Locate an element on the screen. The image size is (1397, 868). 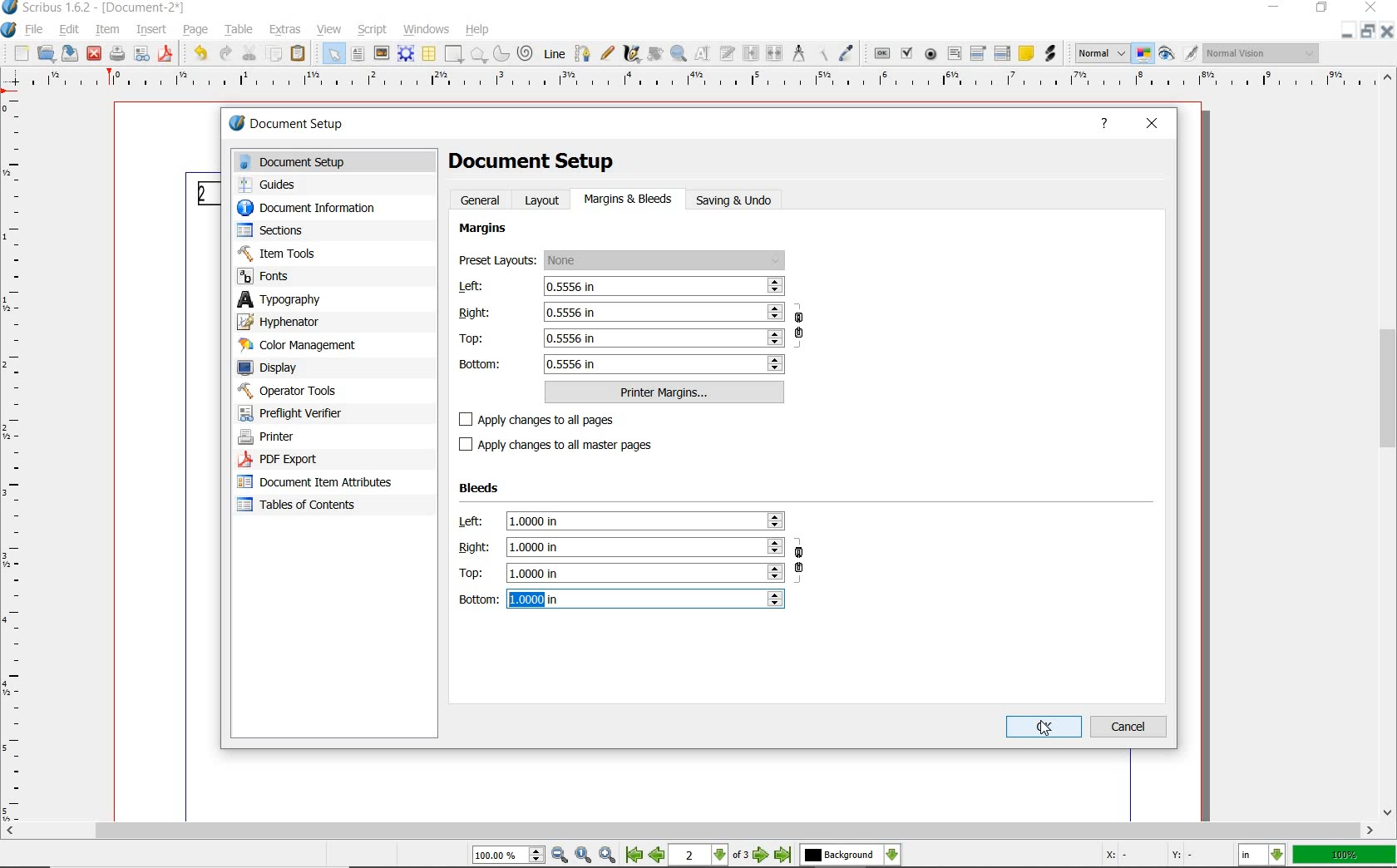
paste is located at coordinates (298, 56).